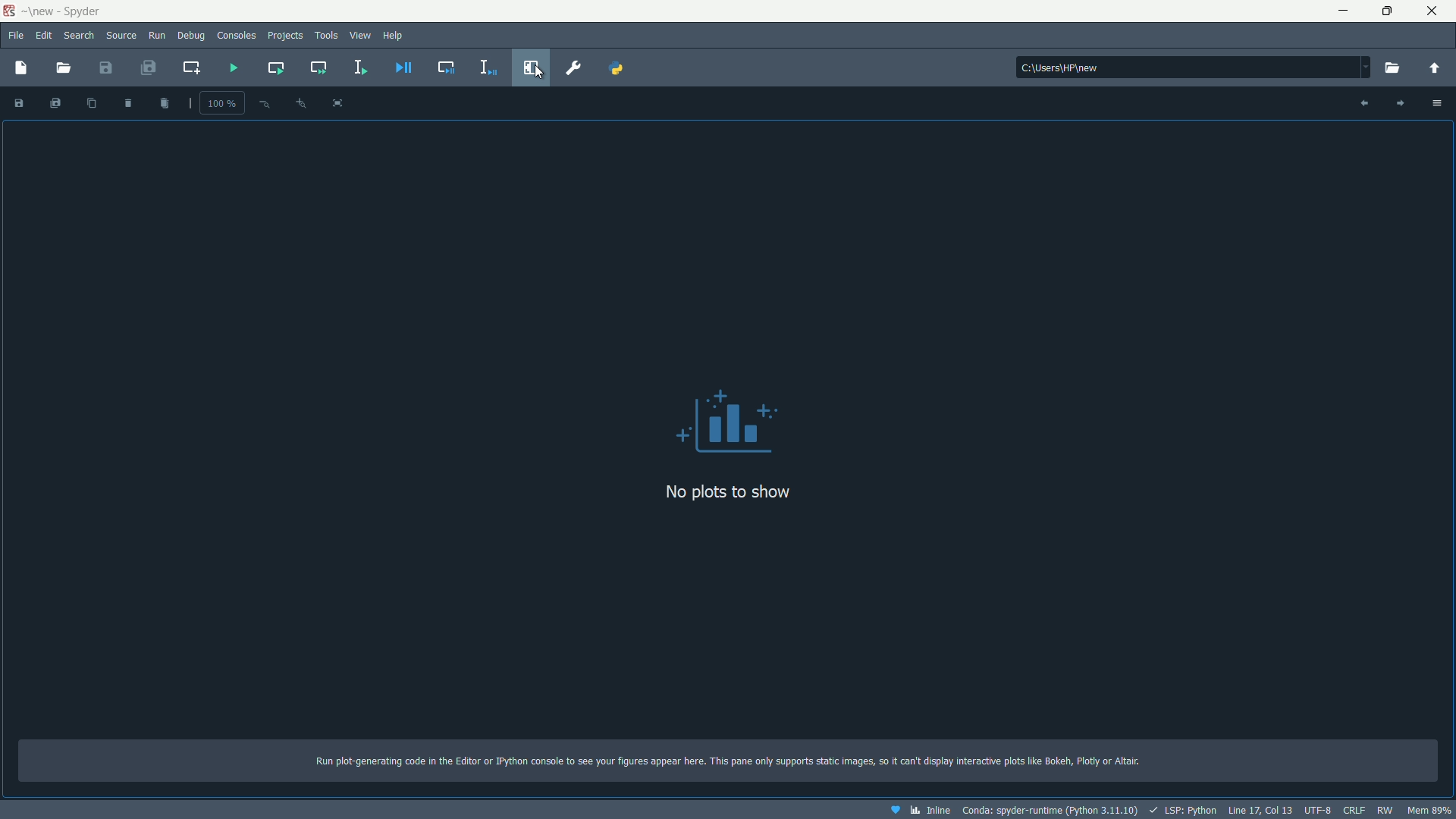  What do you see at coordinates (1403, 102) in the screenshot?
I see `next plot` at bounding box center [1403, 102].